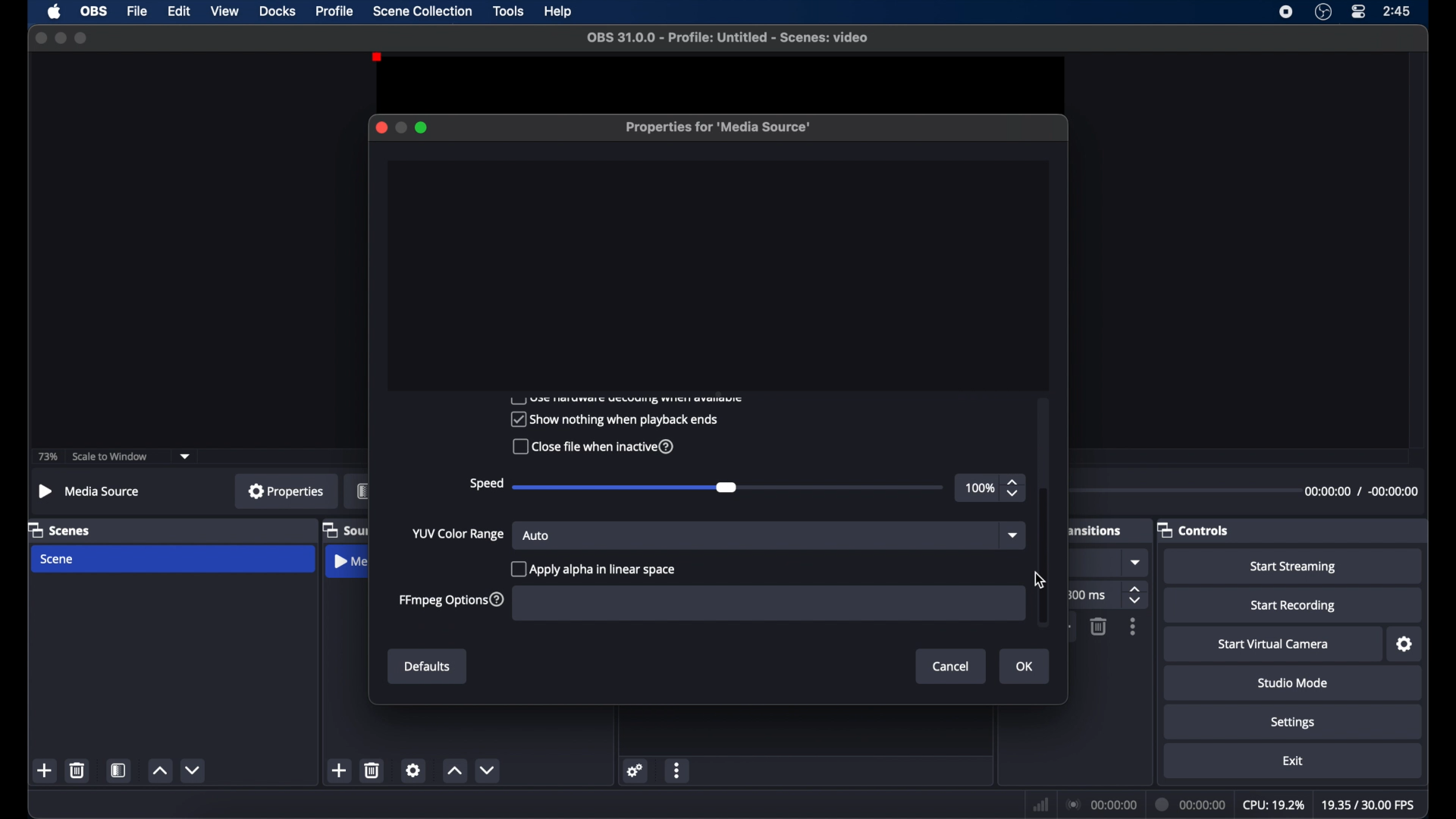 This screenshot has height=819, width=1456. Describe the element at coordinates (509, 11) in the screenshot. I see `tools` at that location.